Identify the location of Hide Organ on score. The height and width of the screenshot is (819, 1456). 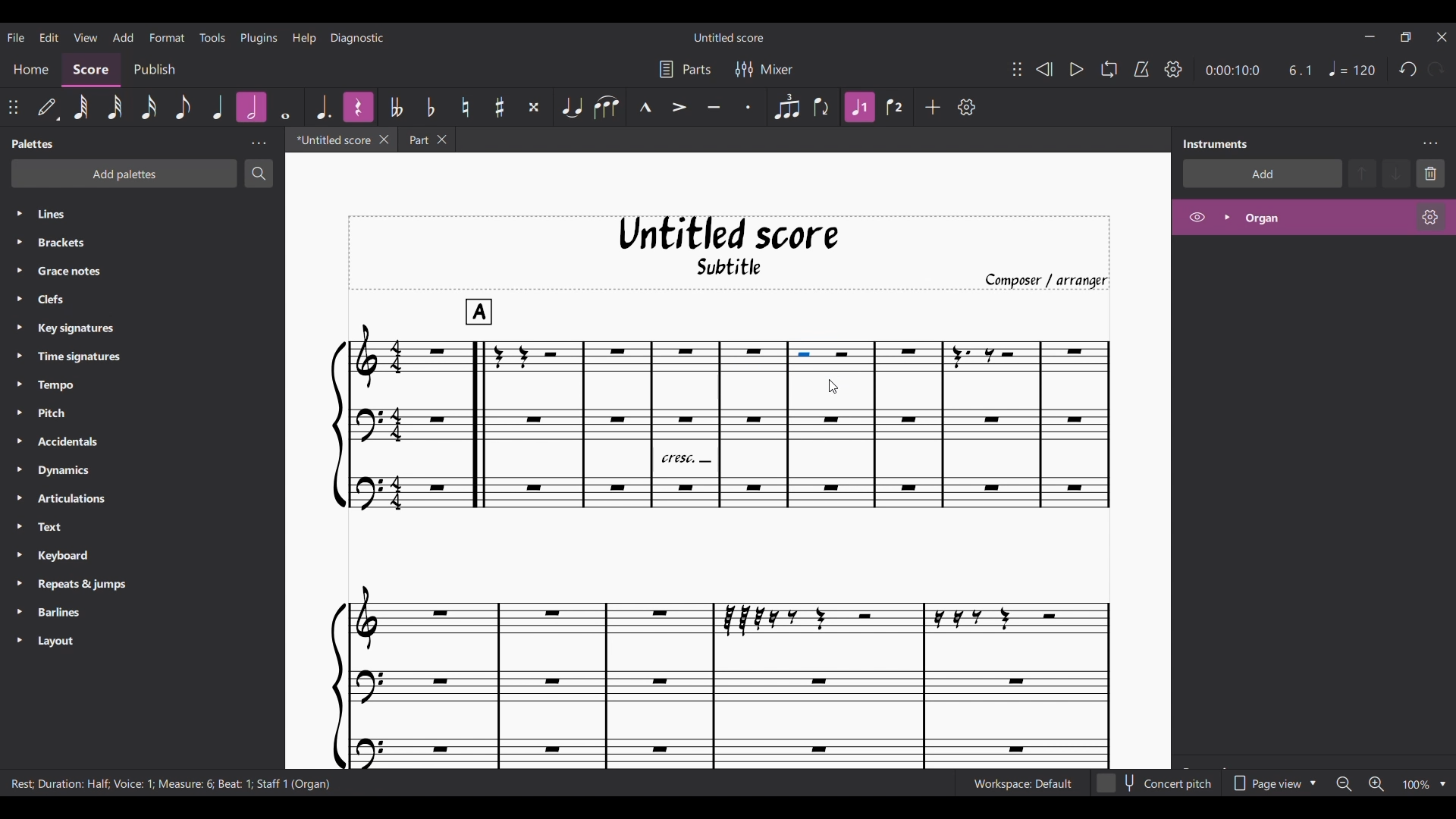
(1197, 217).